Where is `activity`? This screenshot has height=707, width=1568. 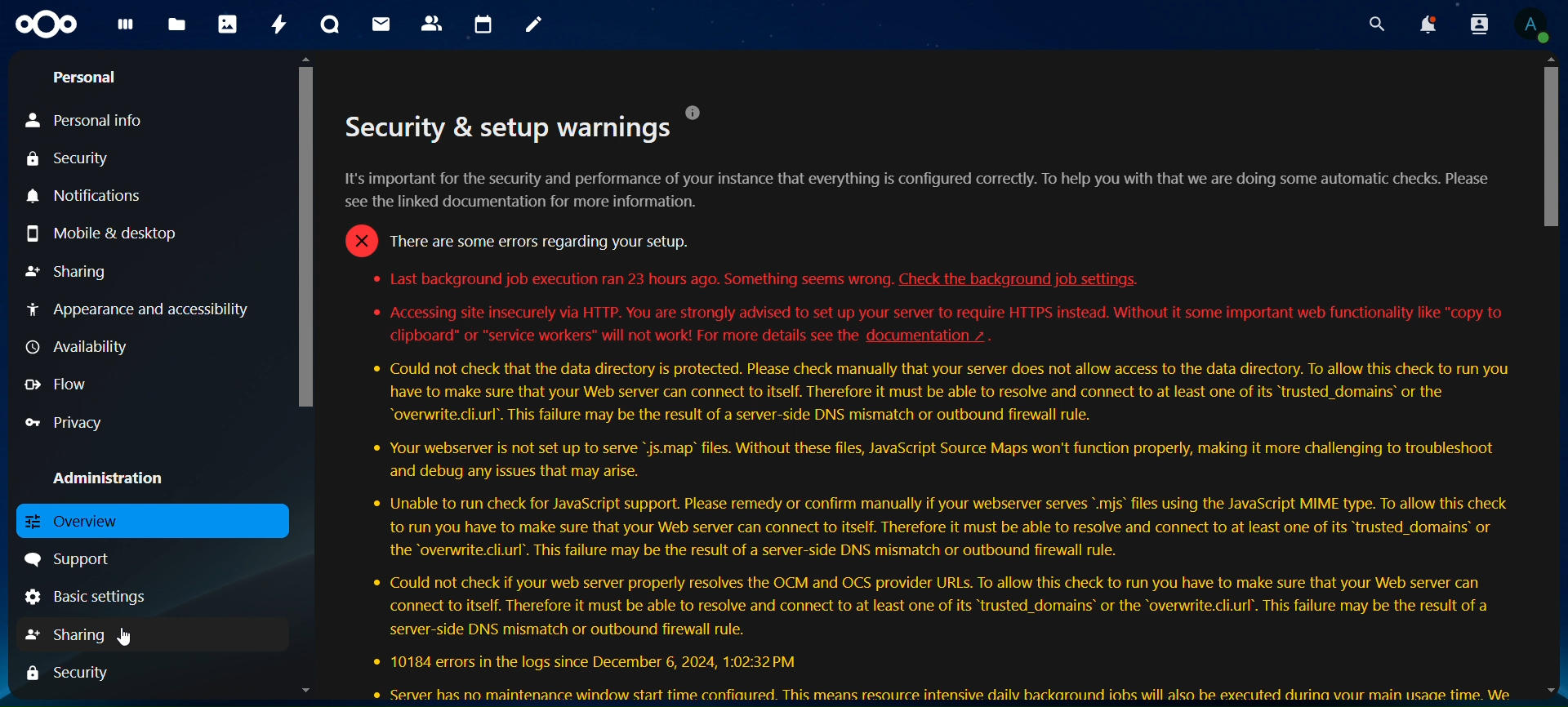
activity is located at coordinates (274, 23).